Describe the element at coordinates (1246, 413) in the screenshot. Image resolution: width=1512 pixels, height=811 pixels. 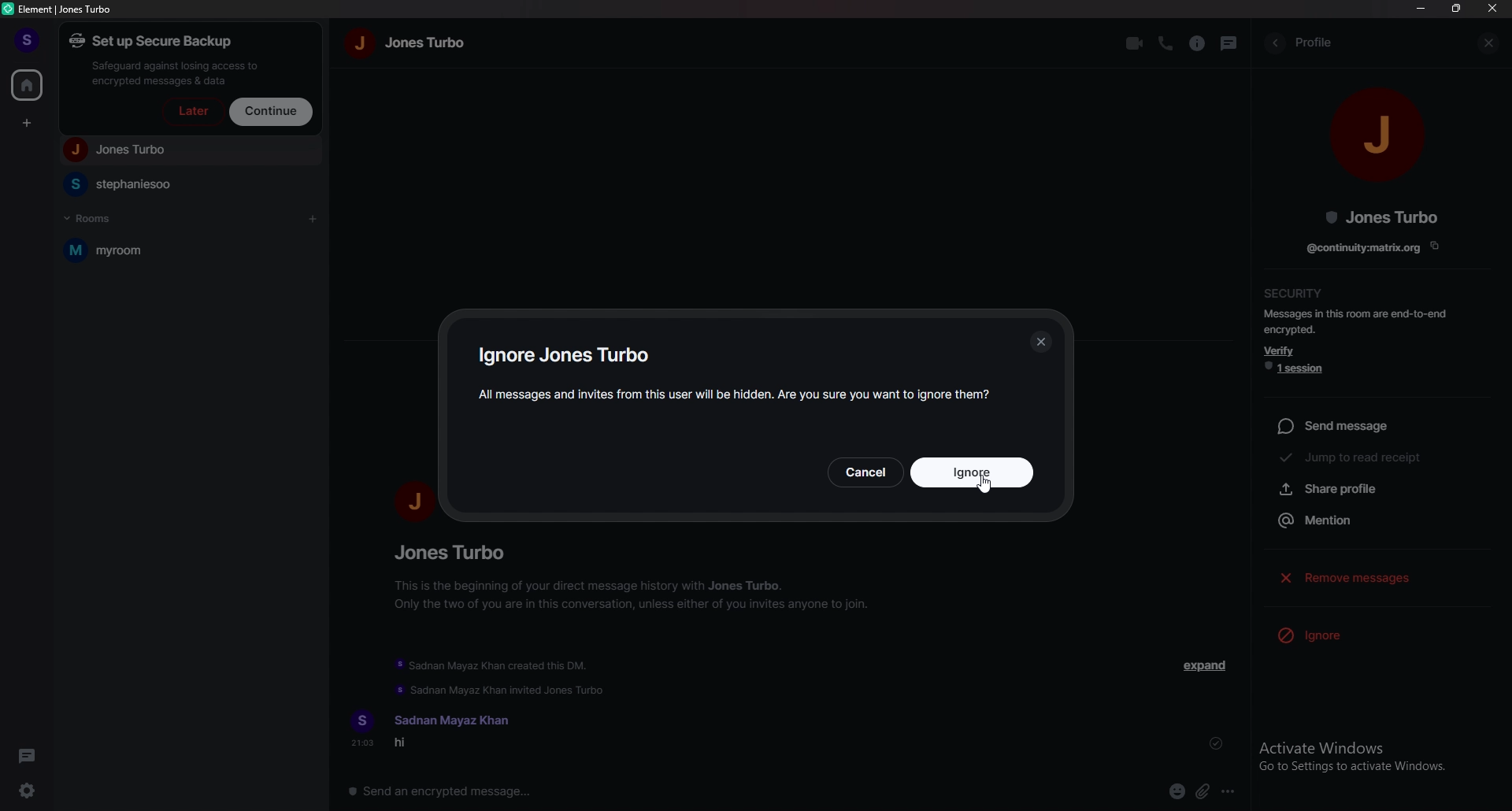
I see `resize bar` at that location.